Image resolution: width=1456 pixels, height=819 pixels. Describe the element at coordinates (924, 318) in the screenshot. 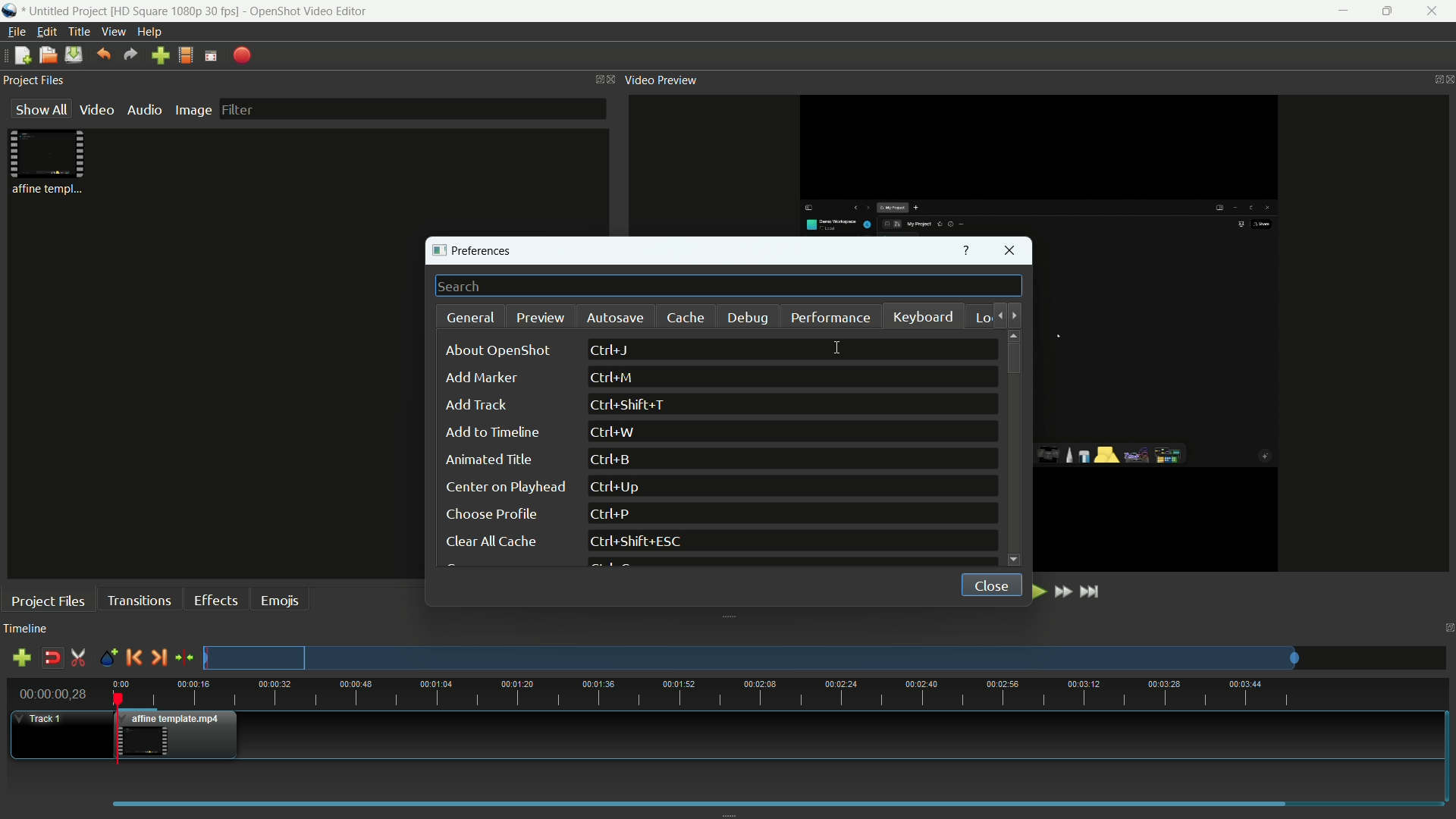

I see `keyboard` at that location.